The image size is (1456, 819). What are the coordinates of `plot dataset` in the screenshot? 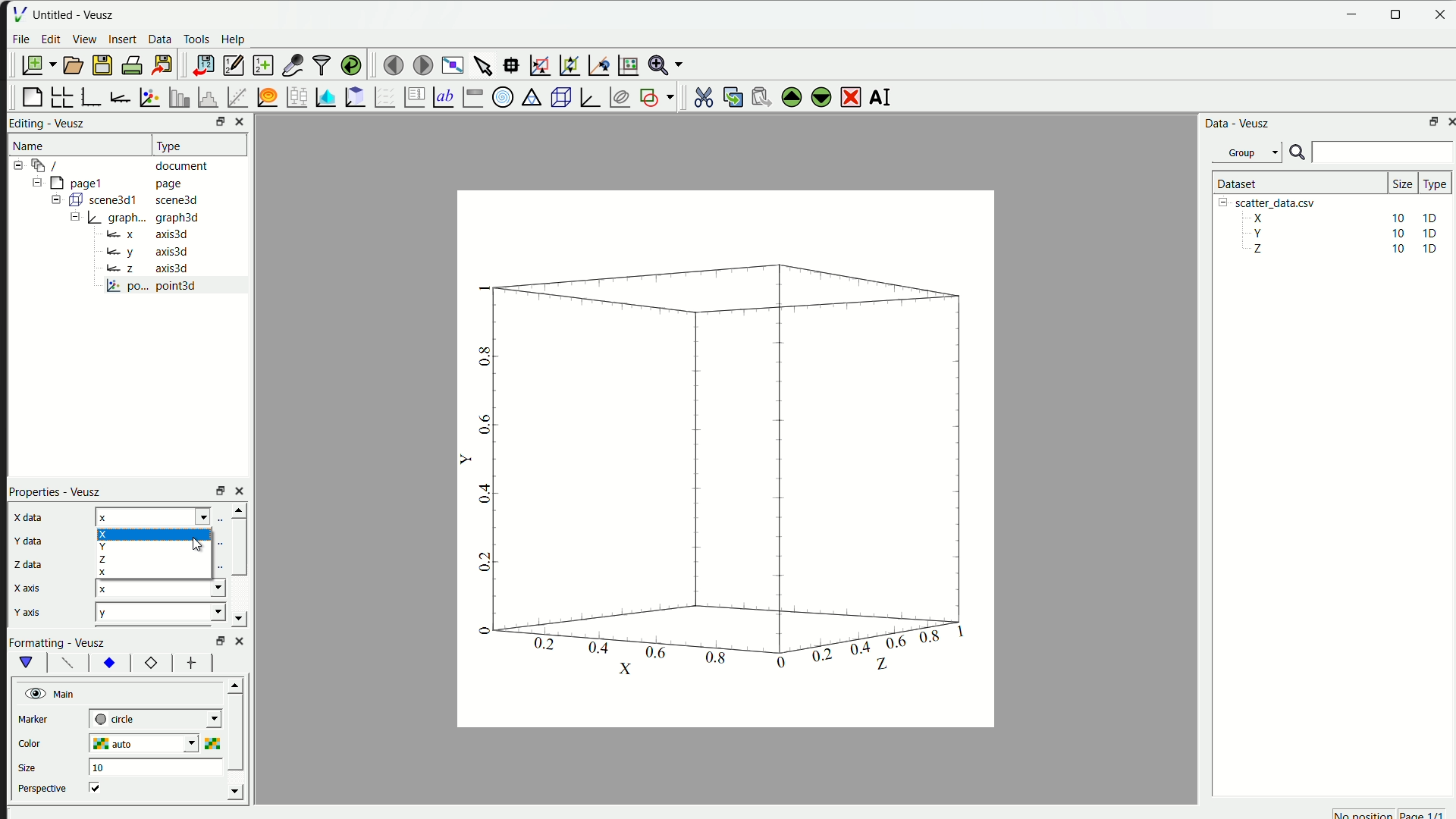 It's located at (323, 96).